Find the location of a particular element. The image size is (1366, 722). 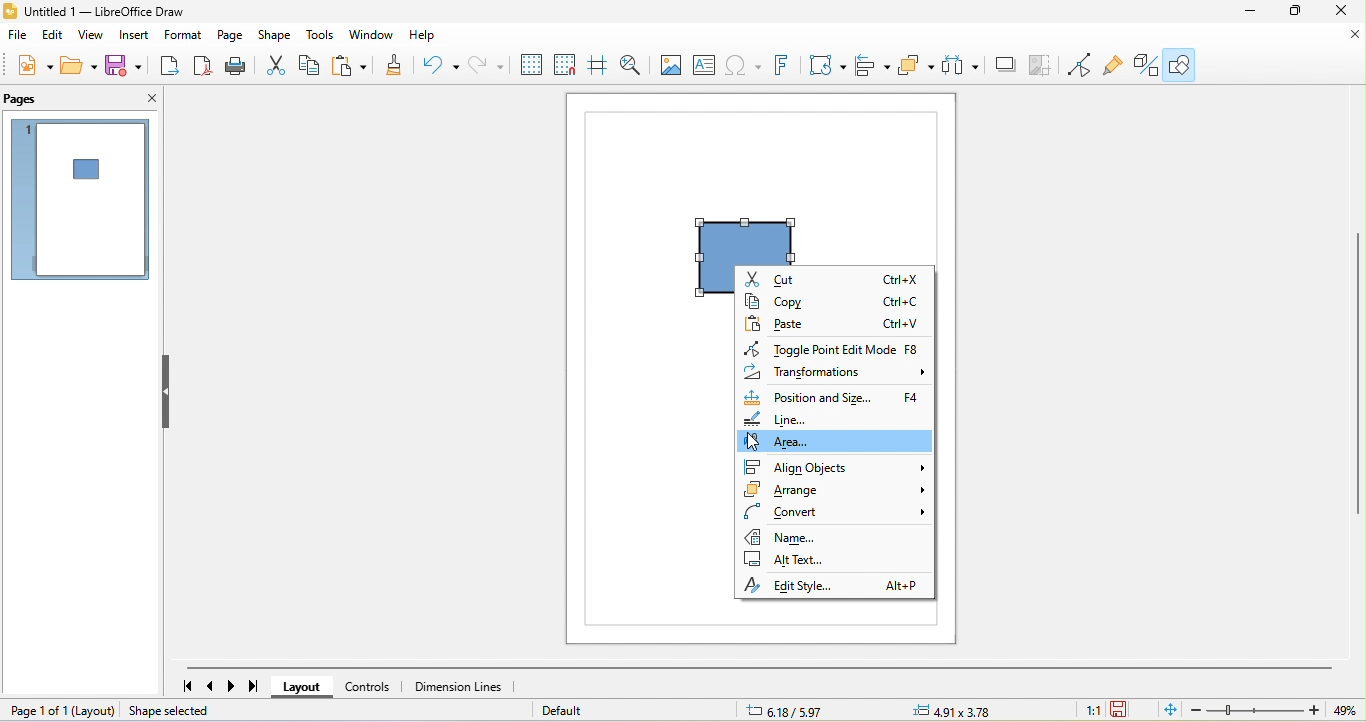

clone formatting is located at coordinates (396, 67).